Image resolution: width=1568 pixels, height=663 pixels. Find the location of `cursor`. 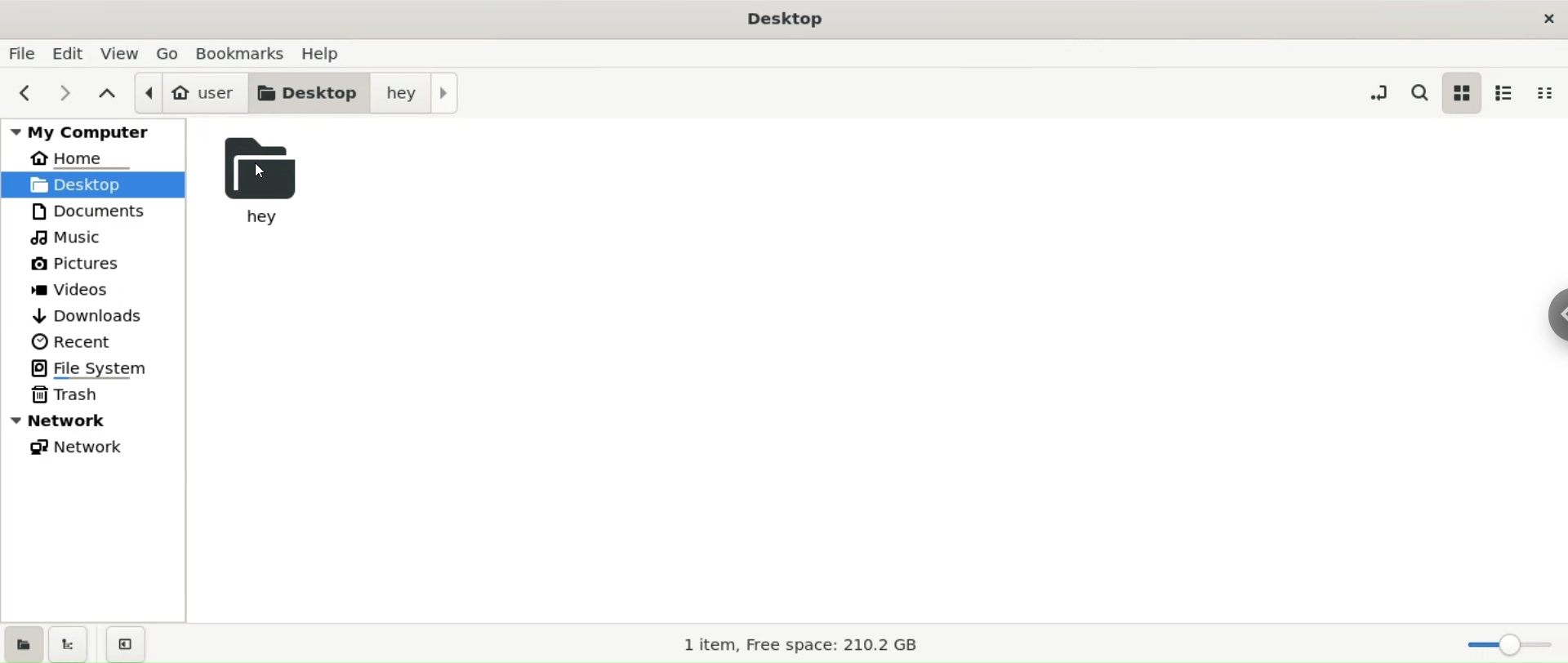

cursor is located at coordinates (261, 171).